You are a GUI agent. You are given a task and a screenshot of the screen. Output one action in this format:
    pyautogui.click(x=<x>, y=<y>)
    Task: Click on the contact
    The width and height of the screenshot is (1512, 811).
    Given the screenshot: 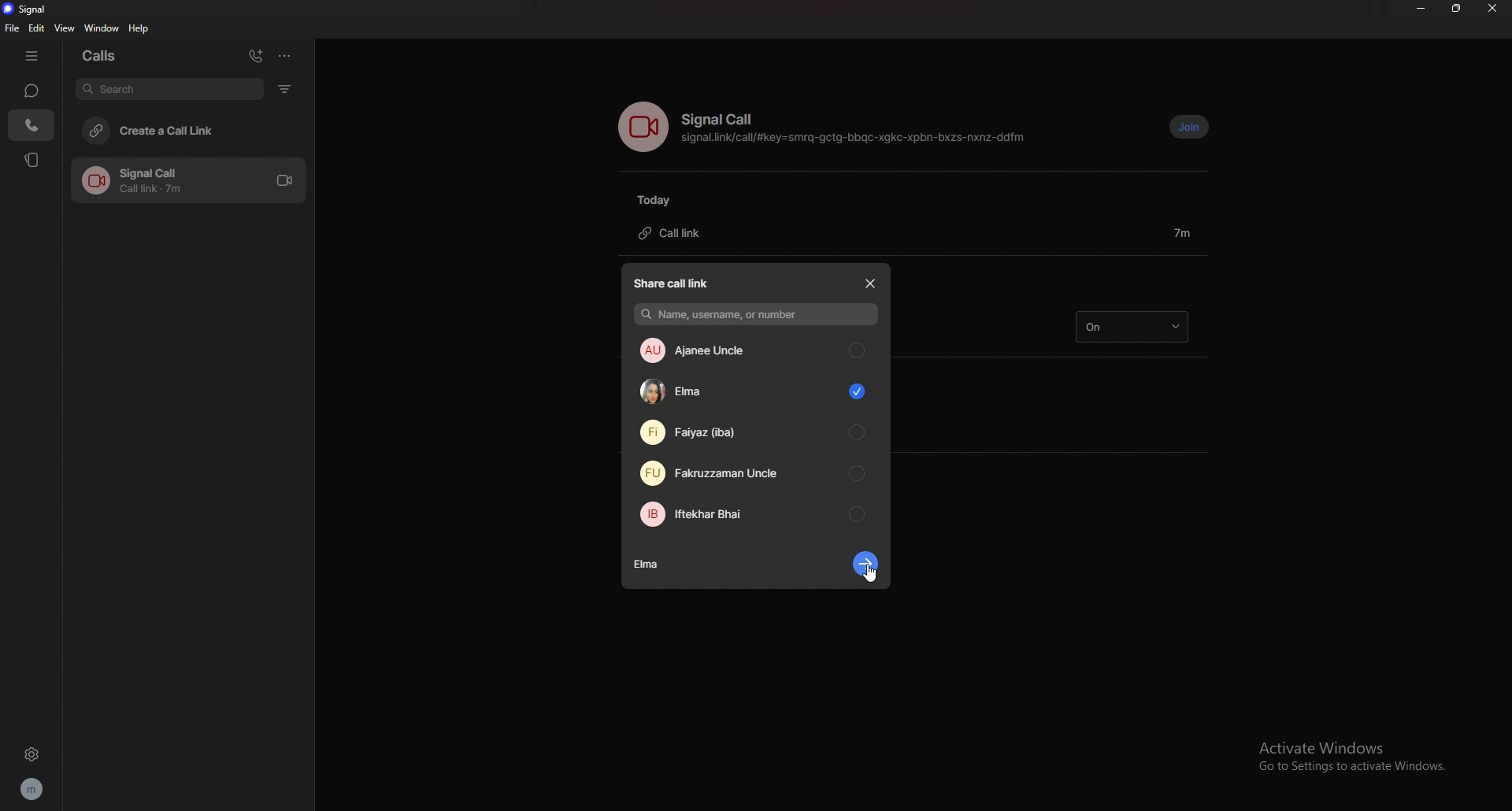 What is the action you would take?
    pyautogui.click(x=755, y=514)
    